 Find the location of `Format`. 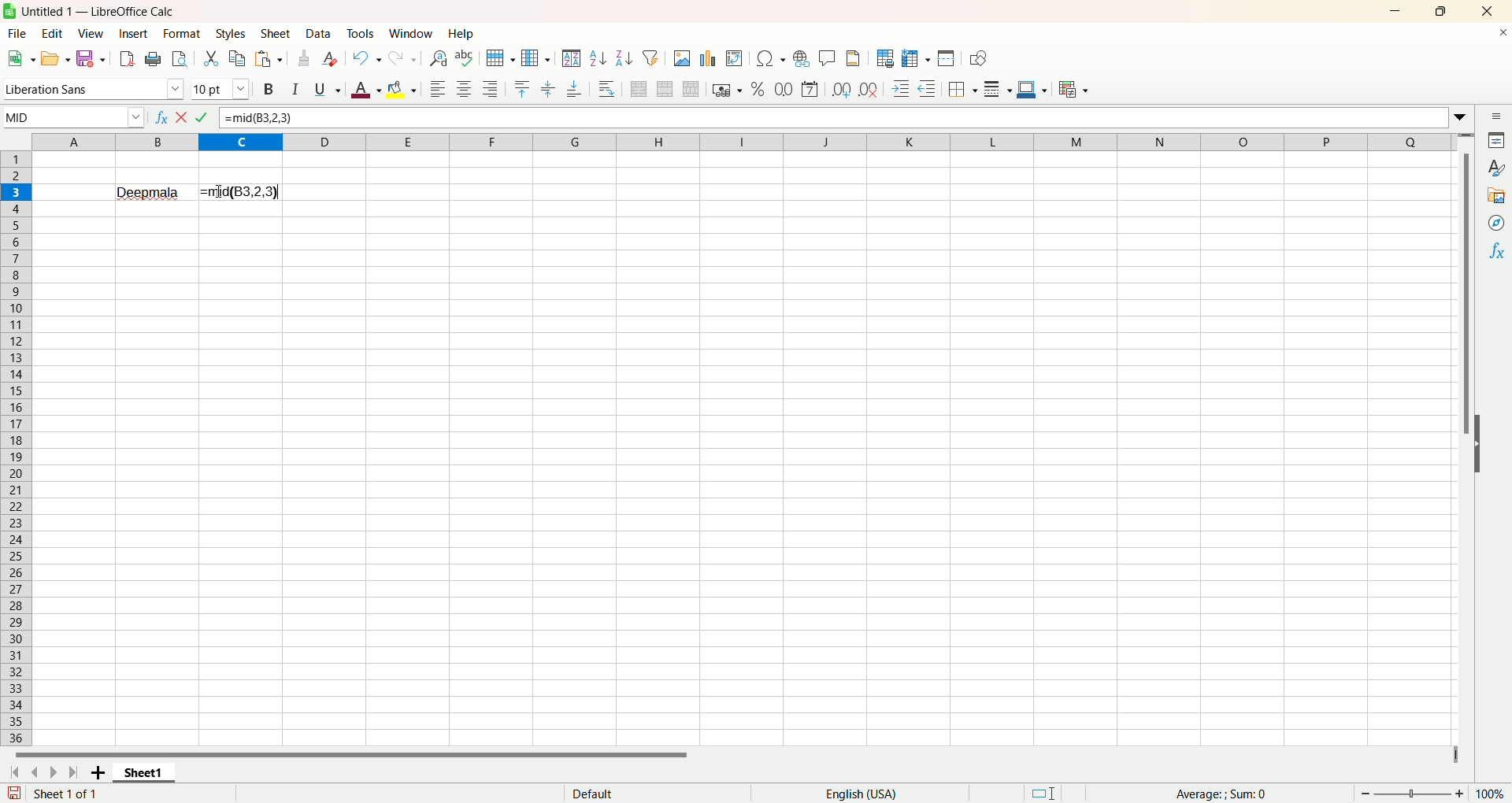

Format is located at coordinates (182, 34).